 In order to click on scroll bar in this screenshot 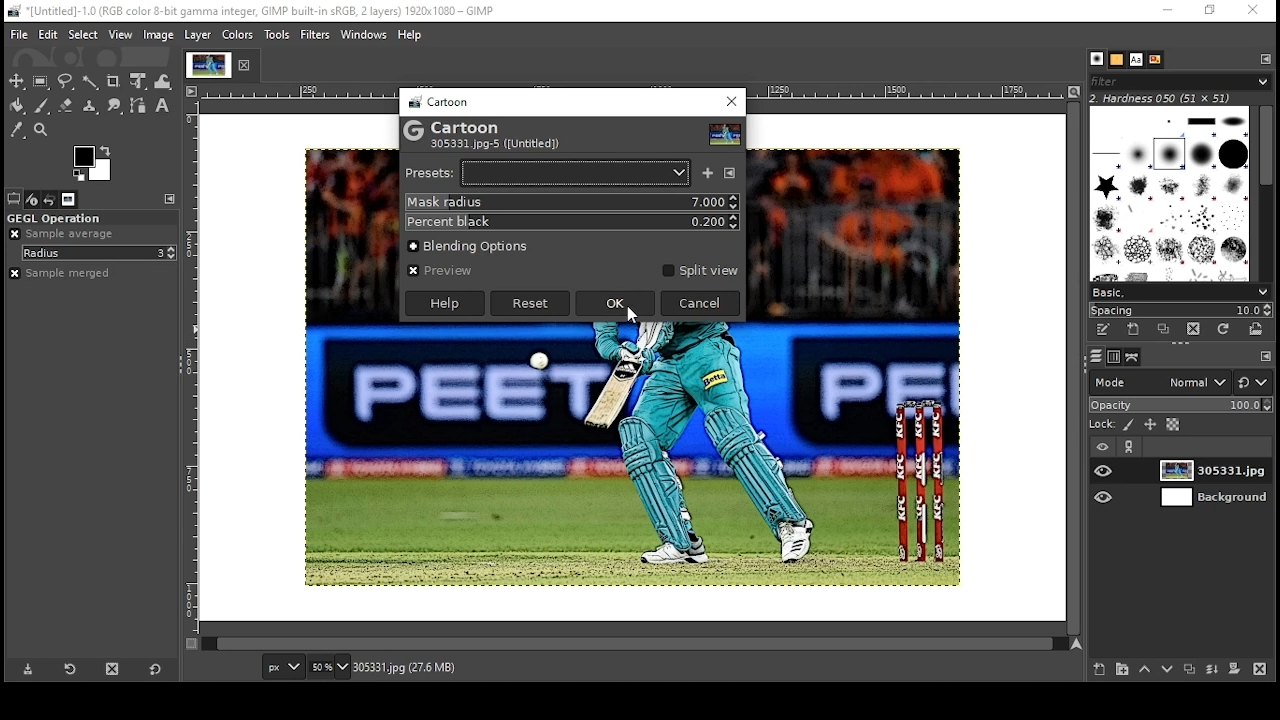, I will do `click(1072, 367)`.